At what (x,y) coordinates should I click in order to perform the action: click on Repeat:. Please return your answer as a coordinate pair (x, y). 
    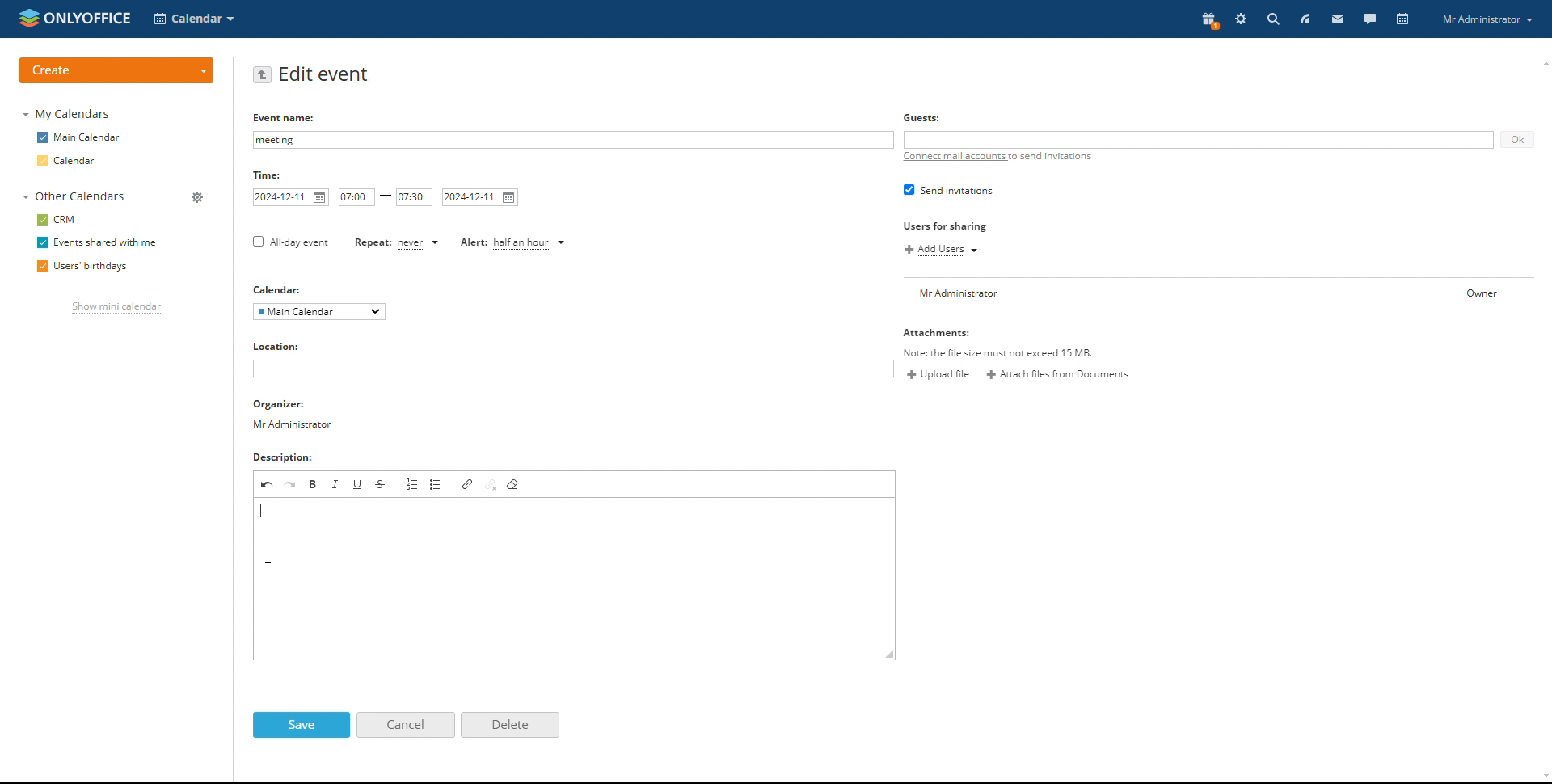
    Looking at the image, I should click on (373, 242).